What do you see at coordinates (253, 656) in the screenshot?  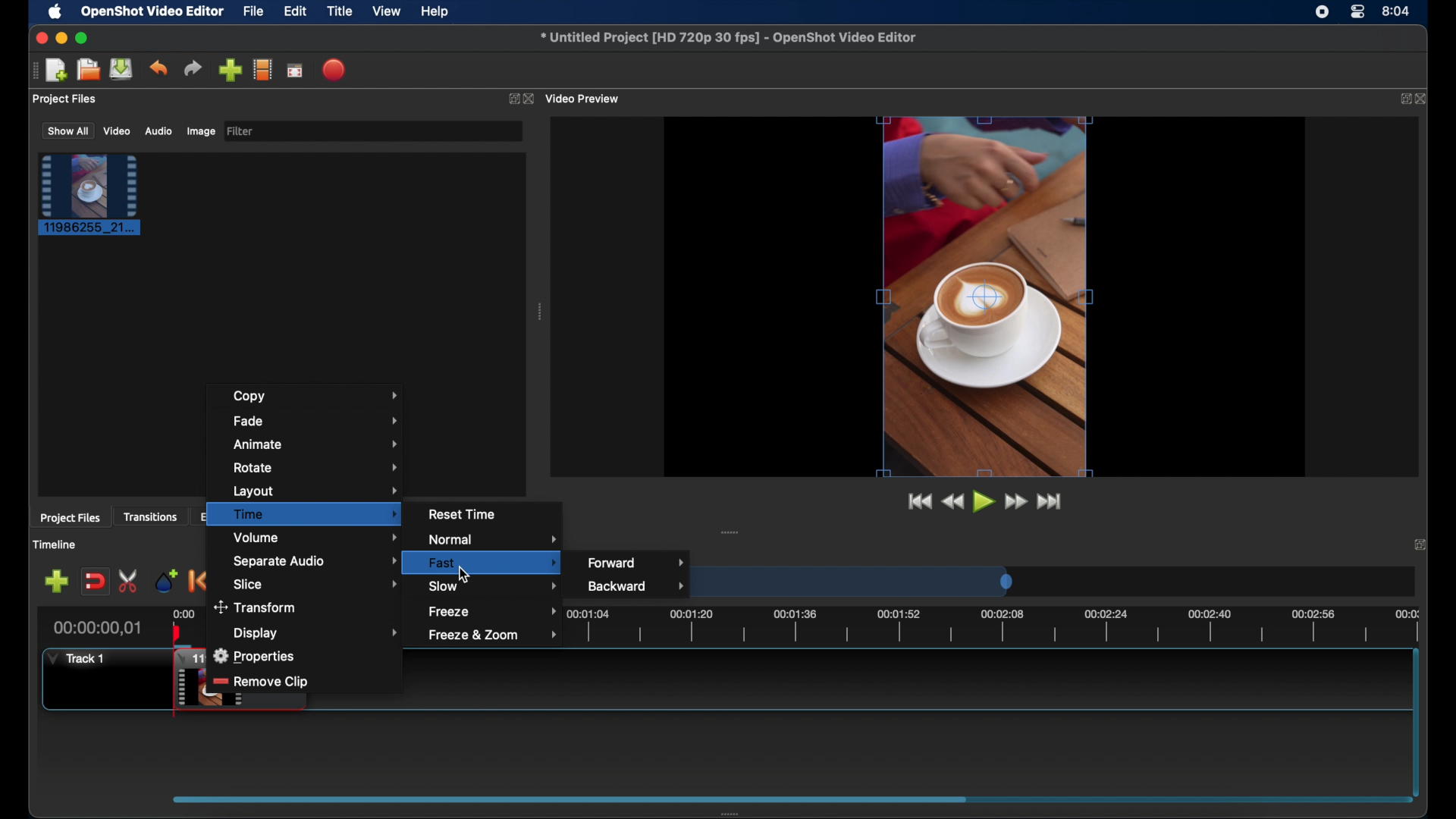 I see `properties` at bounding box center [253, 656].